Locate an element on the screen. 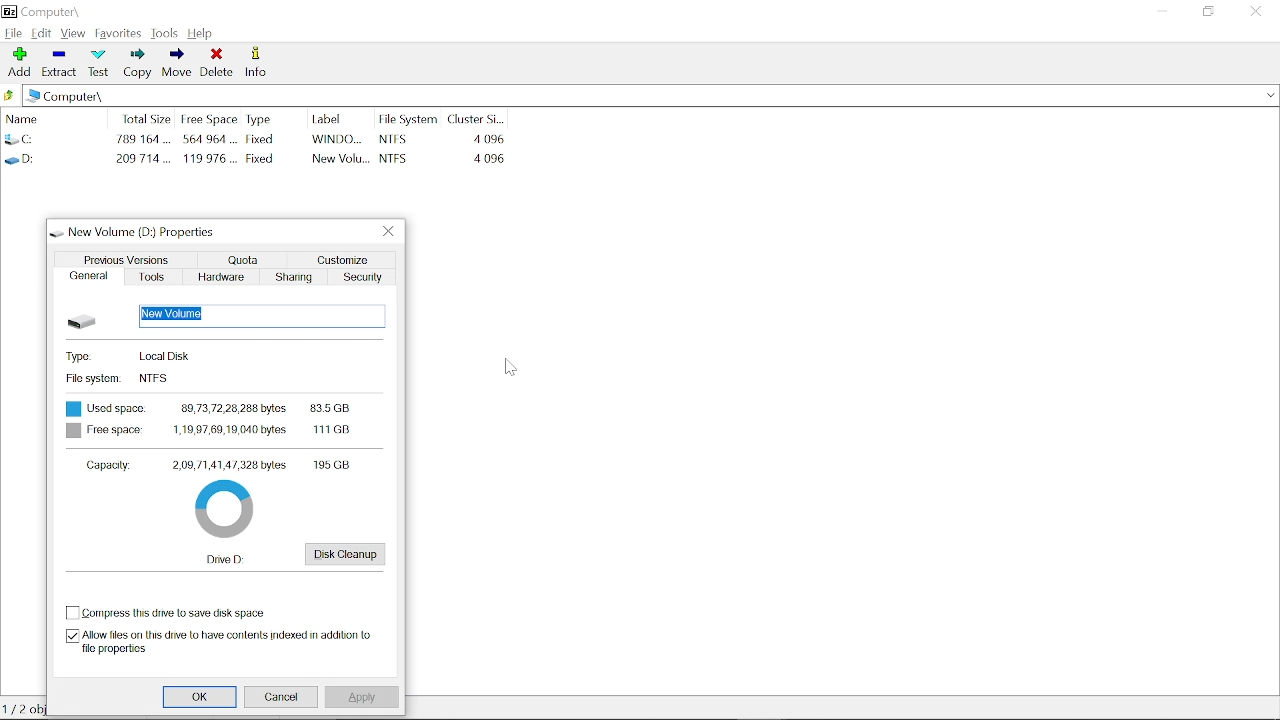  apply is located at coordinates (361, 697).